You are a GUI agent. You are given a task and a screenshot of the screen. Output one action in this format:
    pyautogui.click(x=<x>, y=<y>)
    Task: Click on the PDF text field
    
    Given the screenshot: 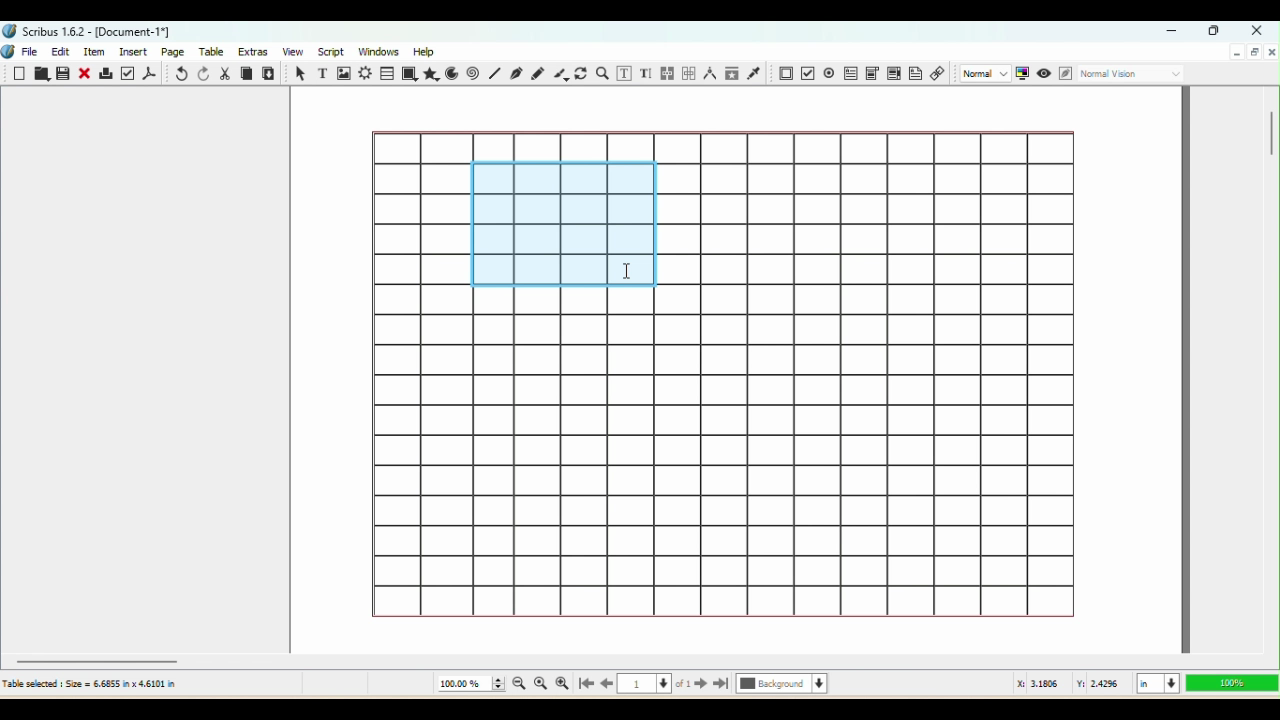 What is the action you would take?
    pyautogui.click(x=849, y=72)
    